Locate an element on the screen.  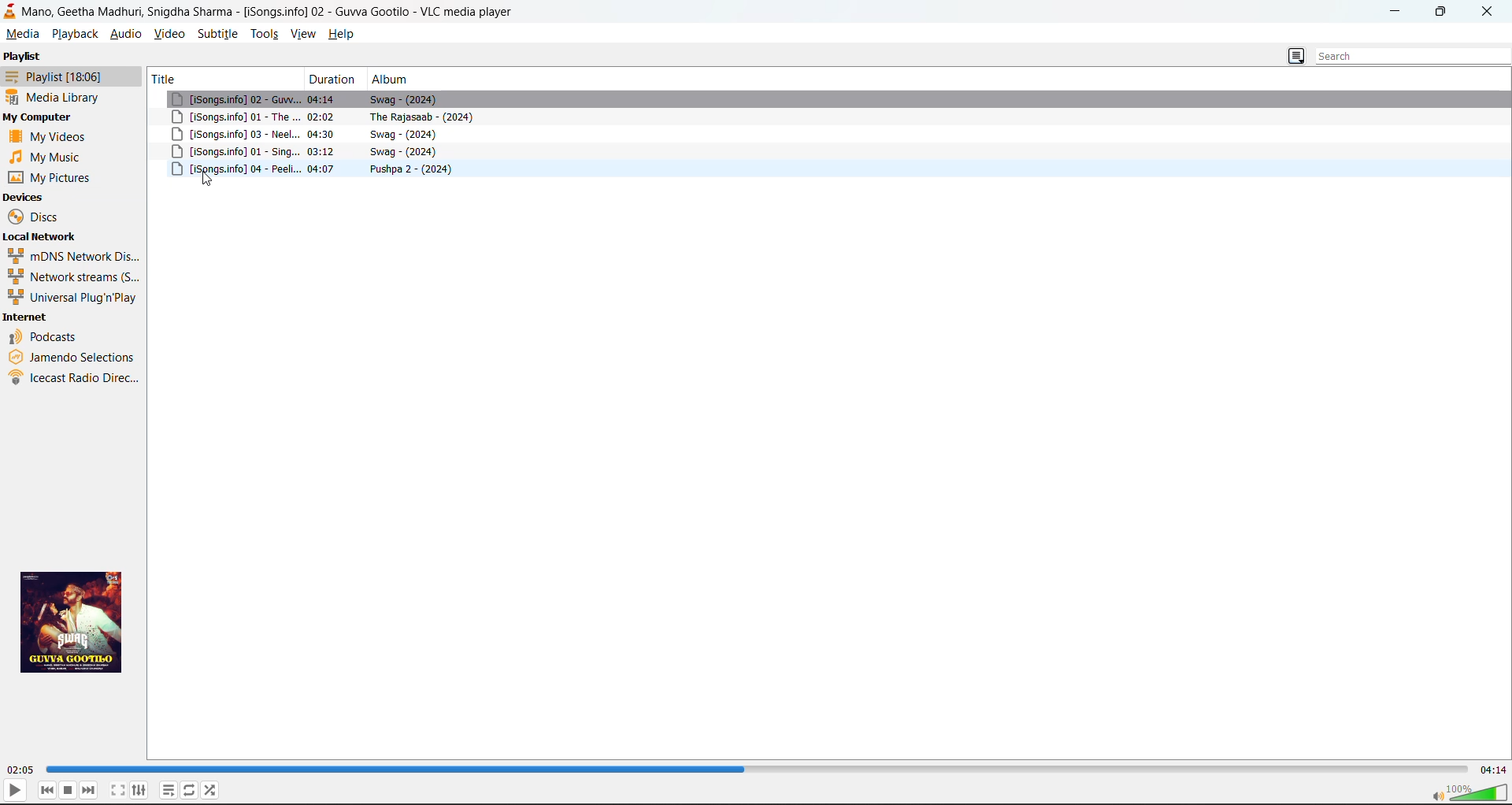
search is located at coordinates (1406, 57).